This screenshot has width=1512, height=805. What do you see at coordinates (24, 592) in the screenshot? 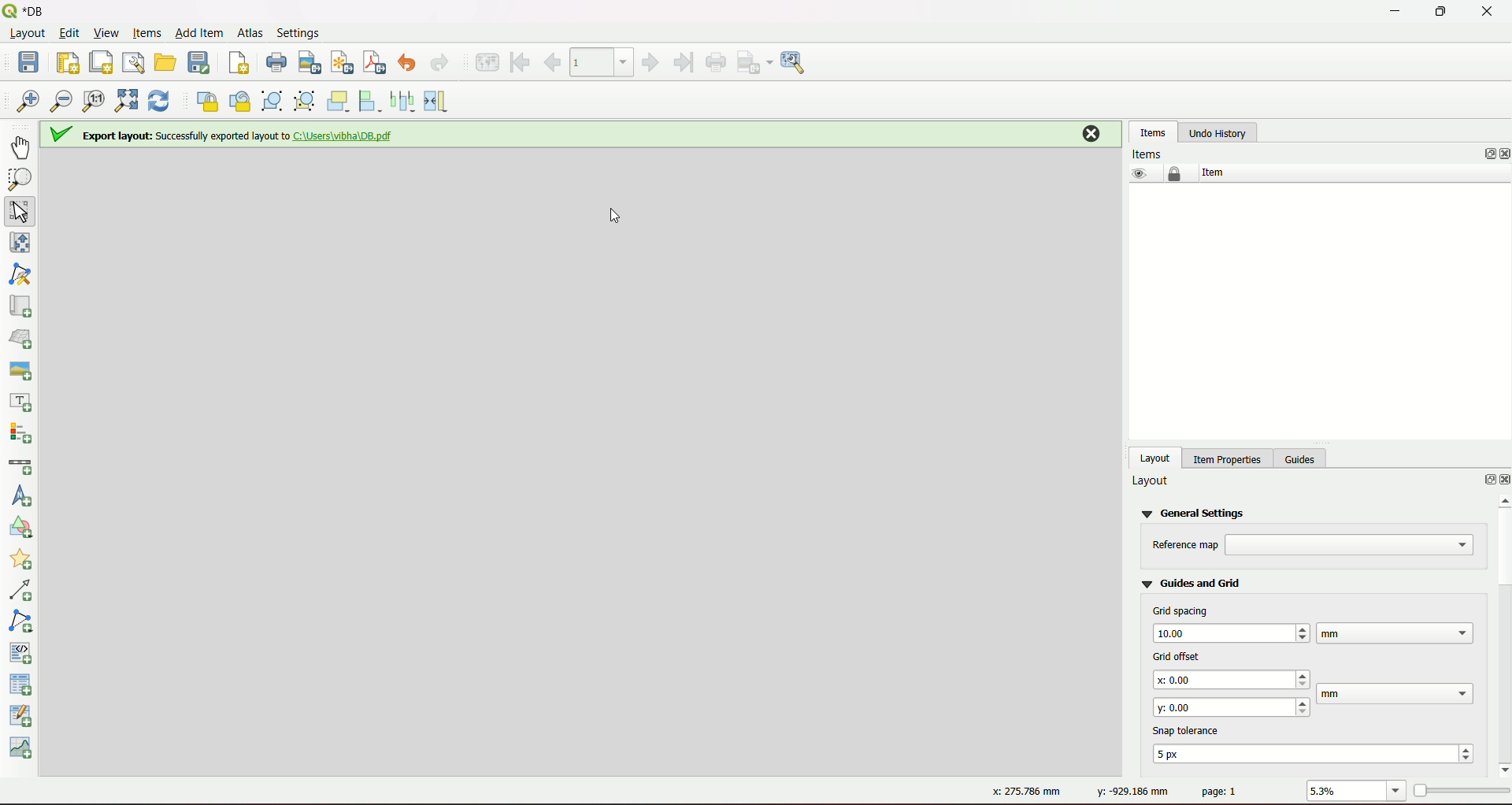
I see `add arrow` at bounding box center [24, 592].